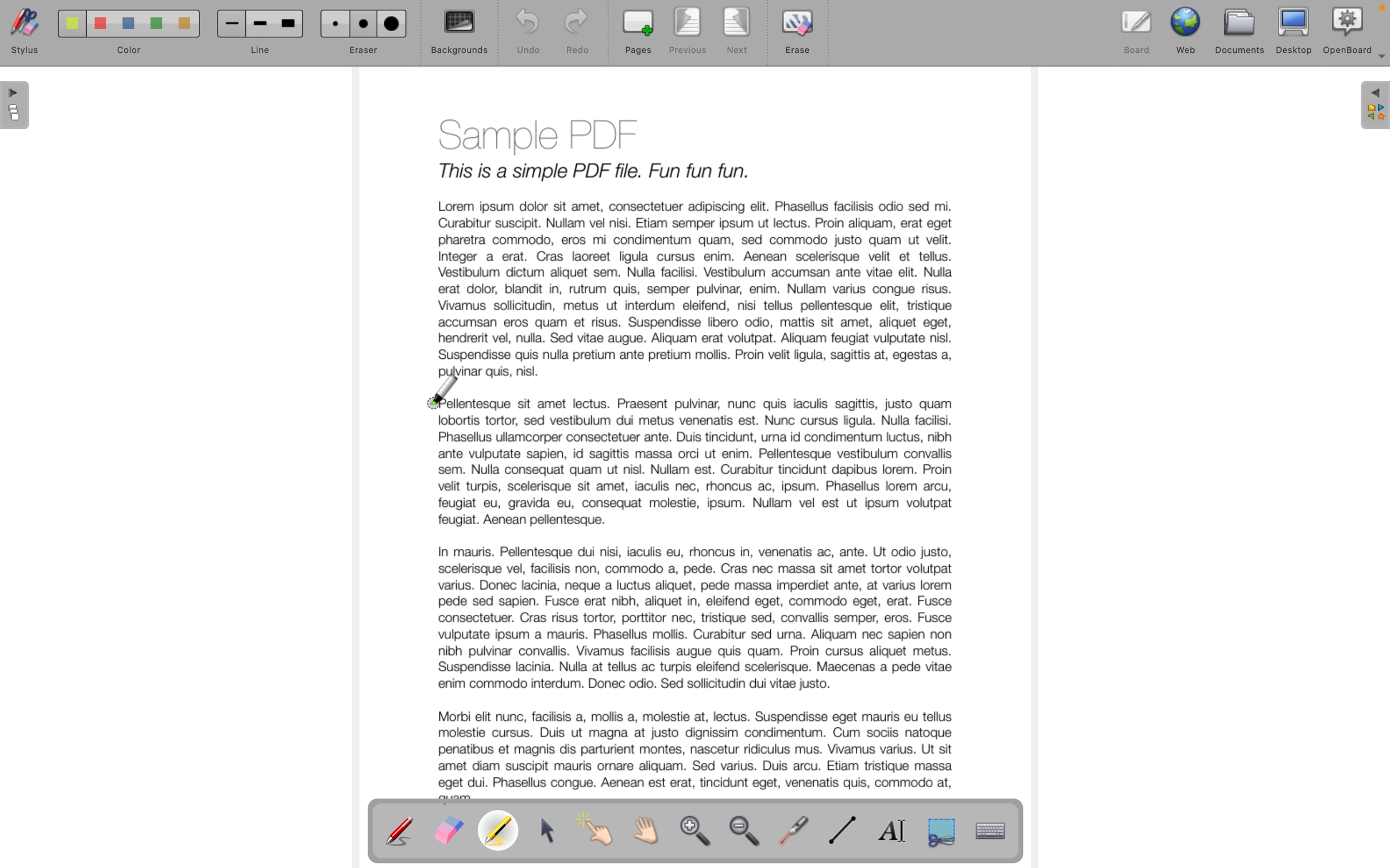 The width and height of the screenshot is (1390, 868). What do you see at coordinates (17, 107) in the screenshot?
I see `pages` at bounding box center [17, 107].